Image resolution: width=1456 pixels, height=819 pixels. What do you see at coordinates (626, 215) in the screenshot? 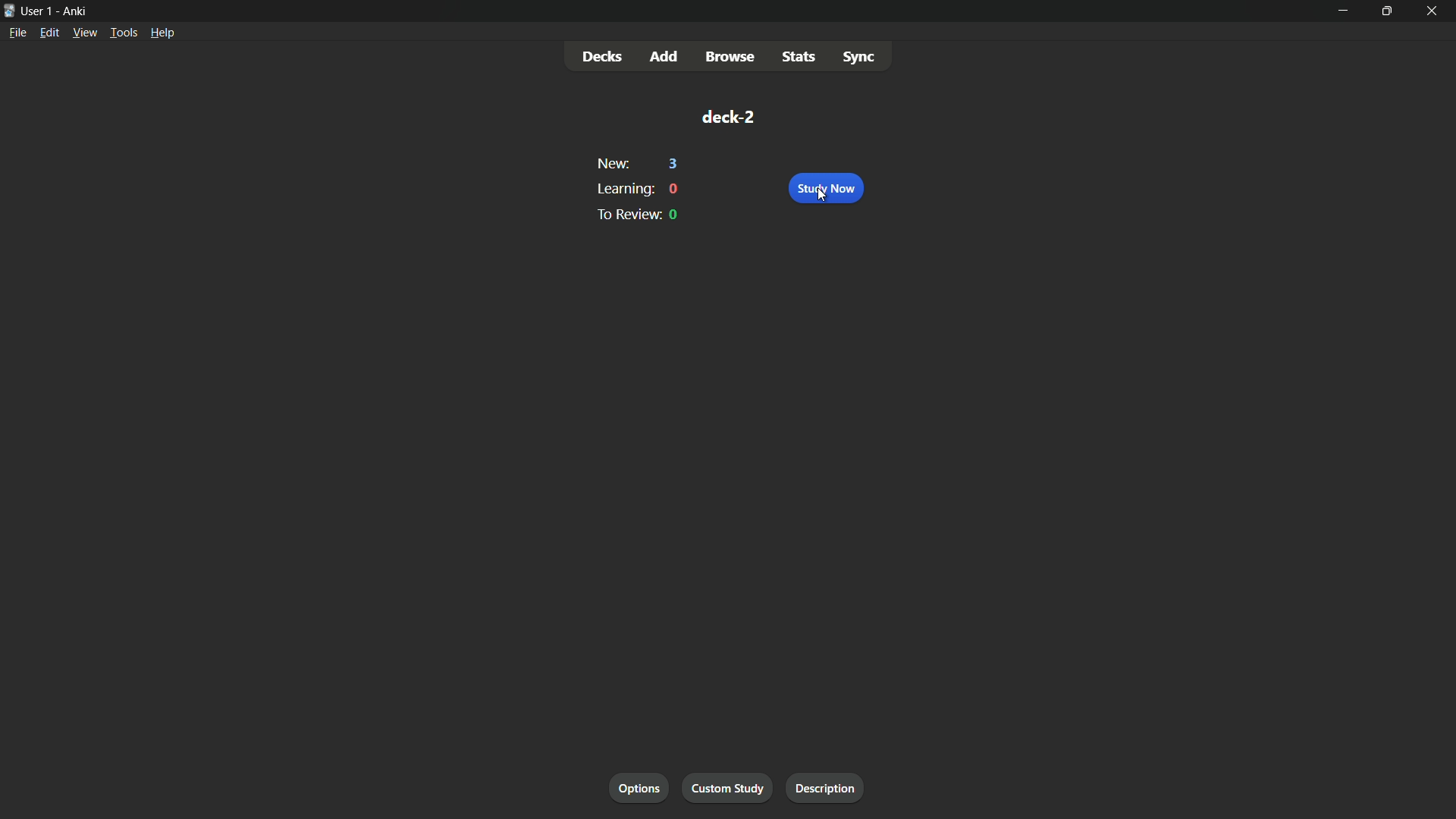
I see `to review` at bounding box center [626, 215].